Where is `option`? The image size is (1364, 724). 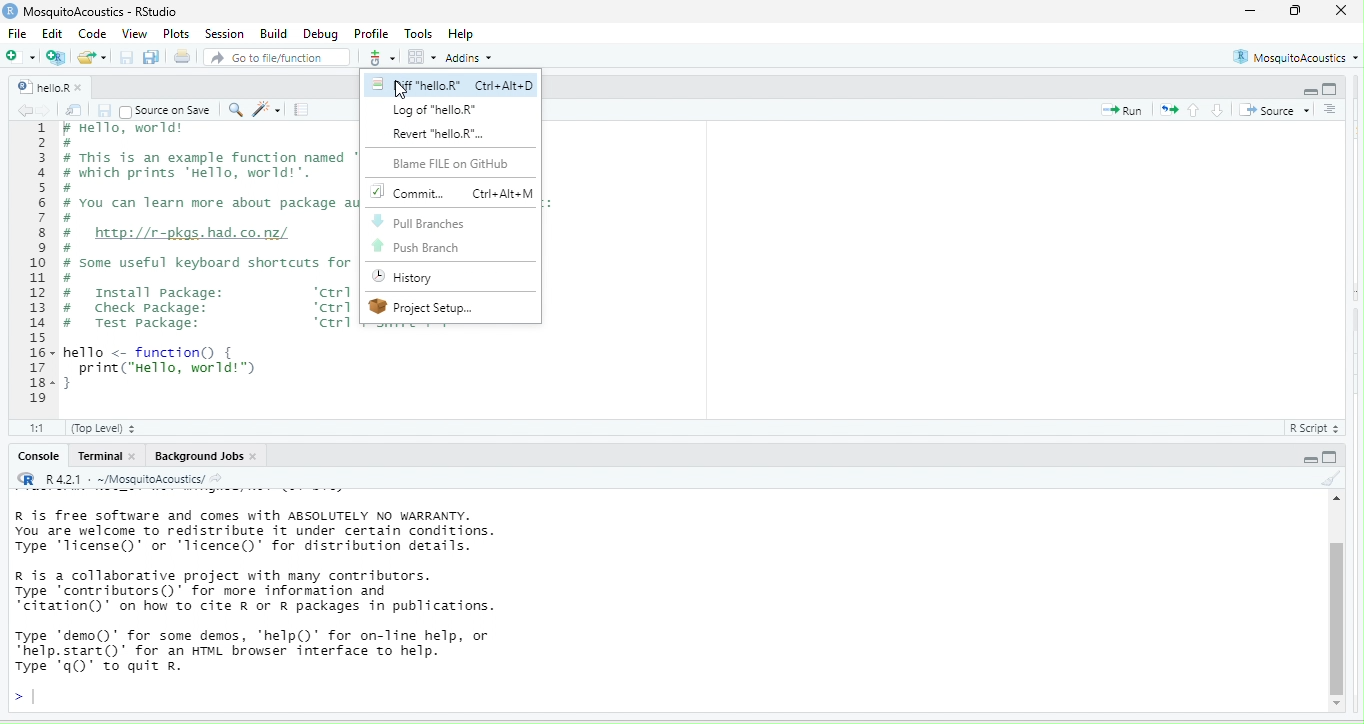 option is located at coordinates (421, 56).